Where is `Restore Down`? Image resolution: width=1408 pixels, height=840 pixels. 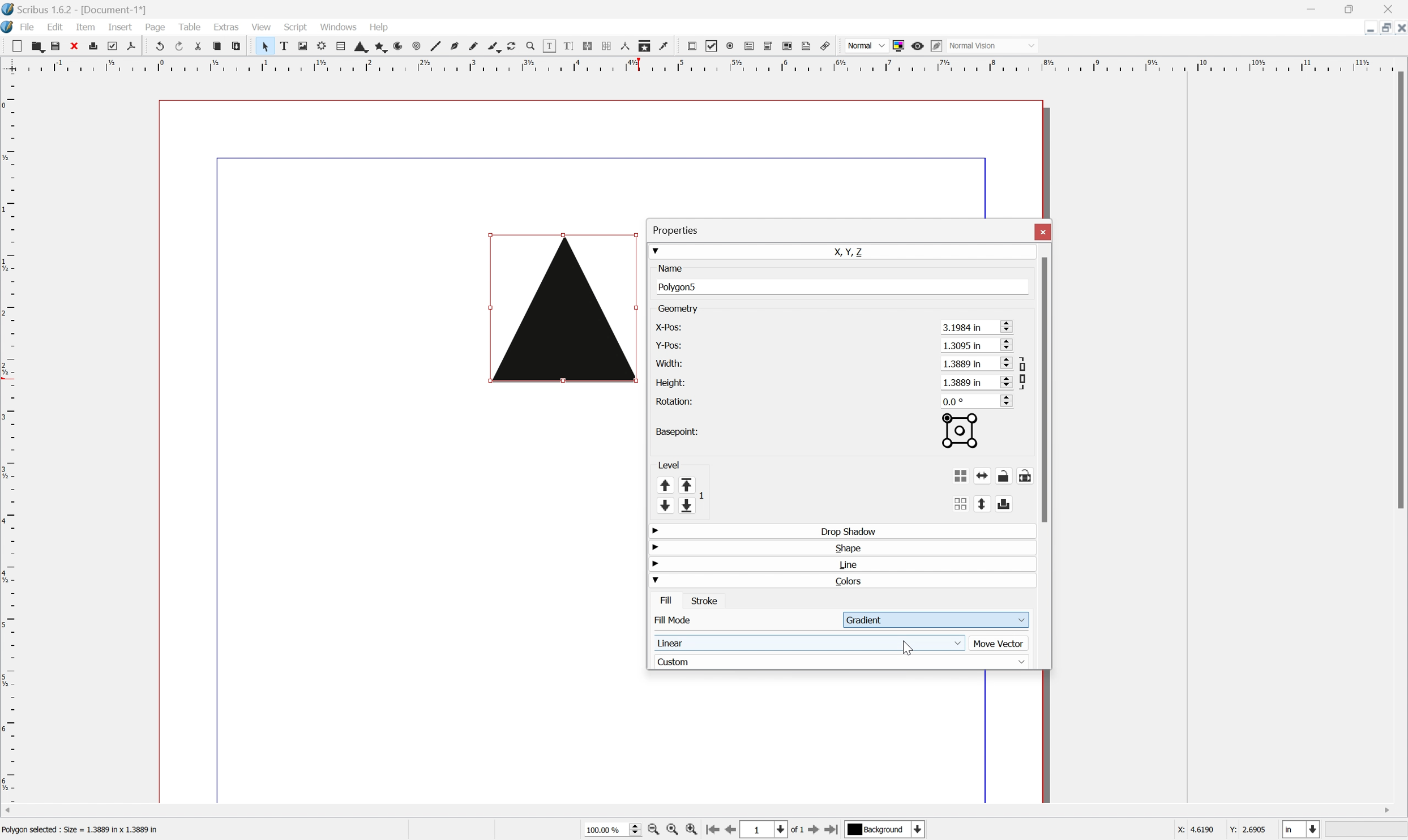
Restore Down is located at coordinates (1381, 28).